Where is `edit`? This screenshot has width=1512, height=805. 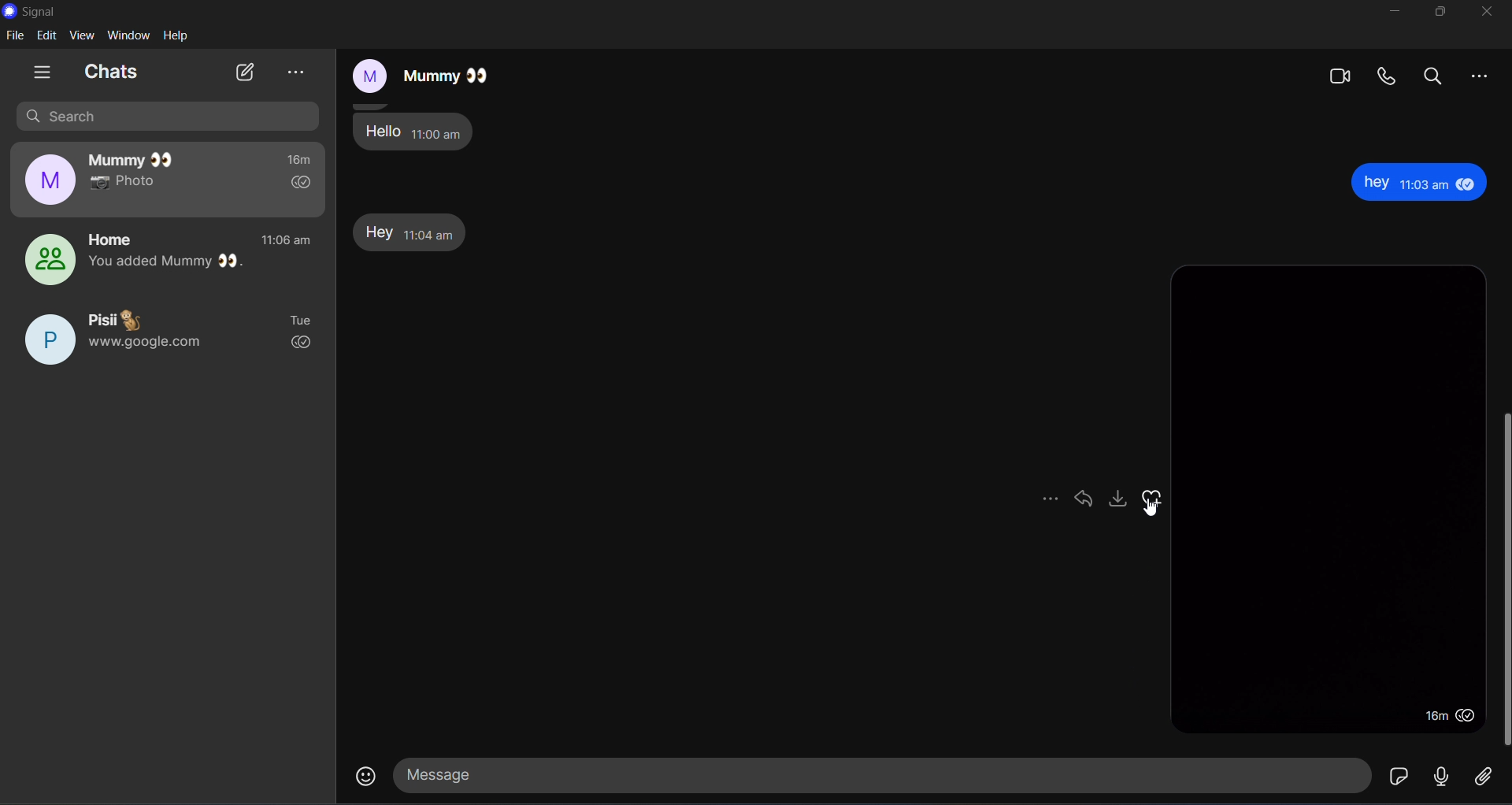 edit is located at coordinates (47, 35).